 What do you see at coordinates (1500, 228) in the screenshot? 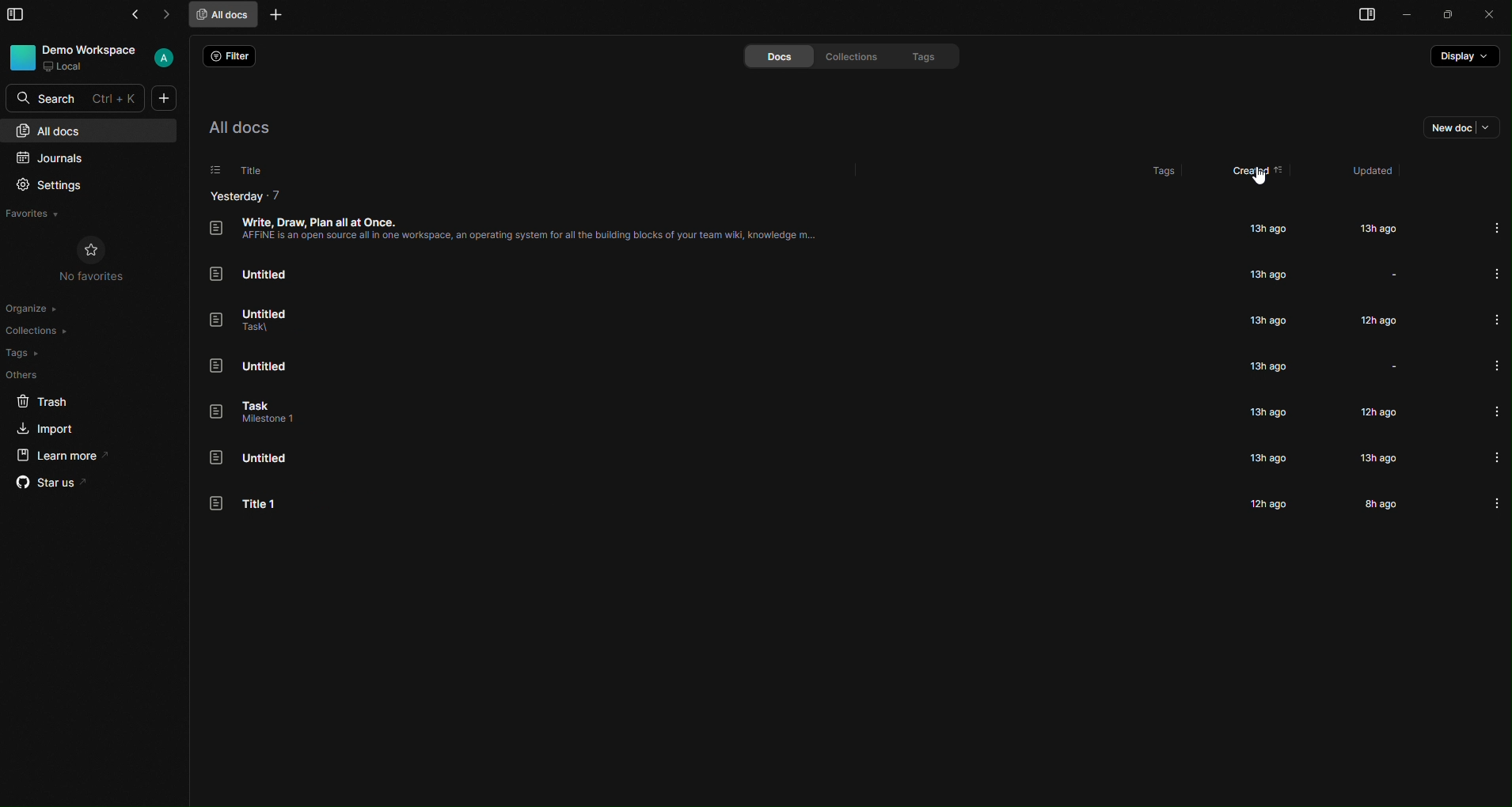
I see ` more info` at bounding box center [1500, 228].